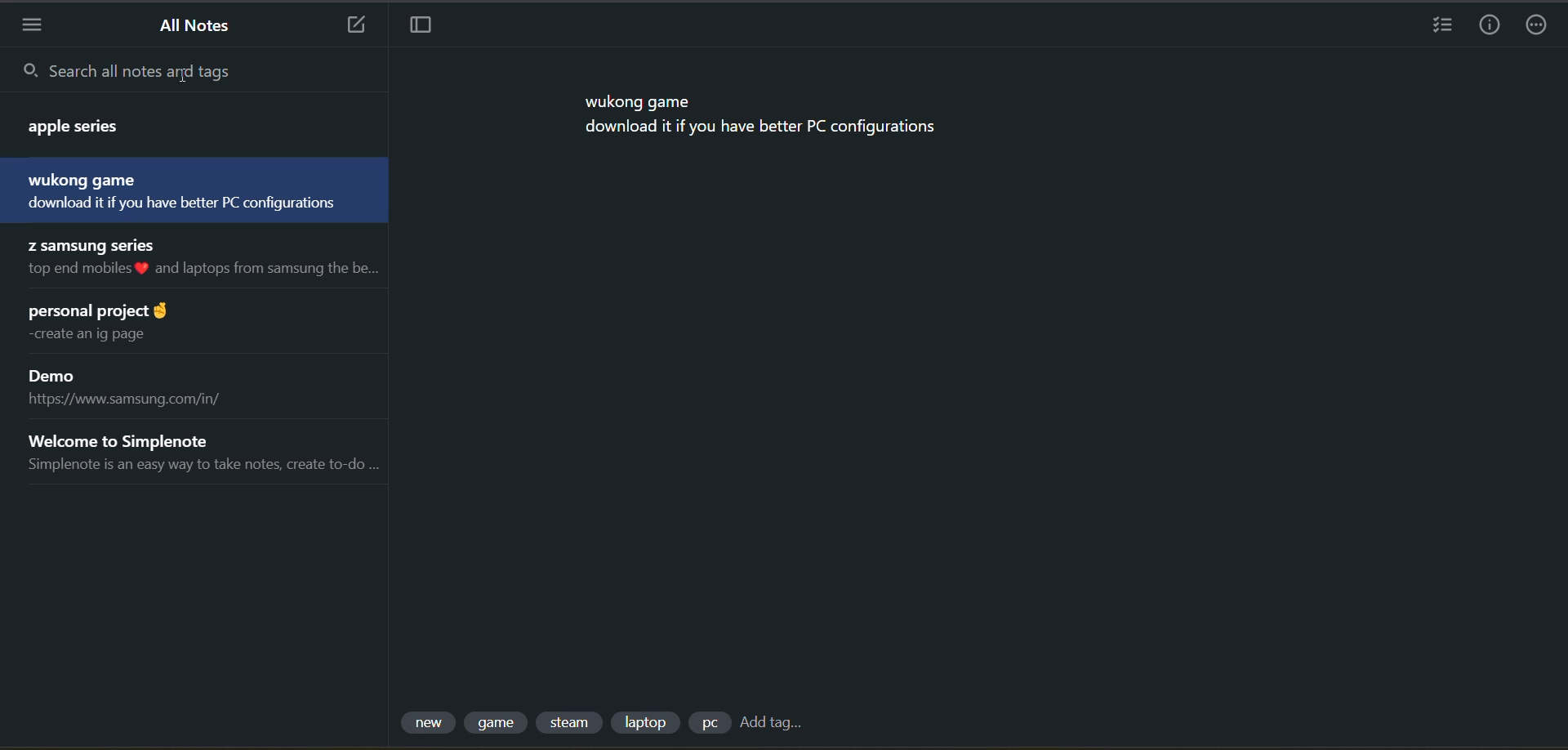 The image size is (1568, 750). Describe the element at coordinates (191, 191) in the screenshot. I see `note title and preview` at that location.